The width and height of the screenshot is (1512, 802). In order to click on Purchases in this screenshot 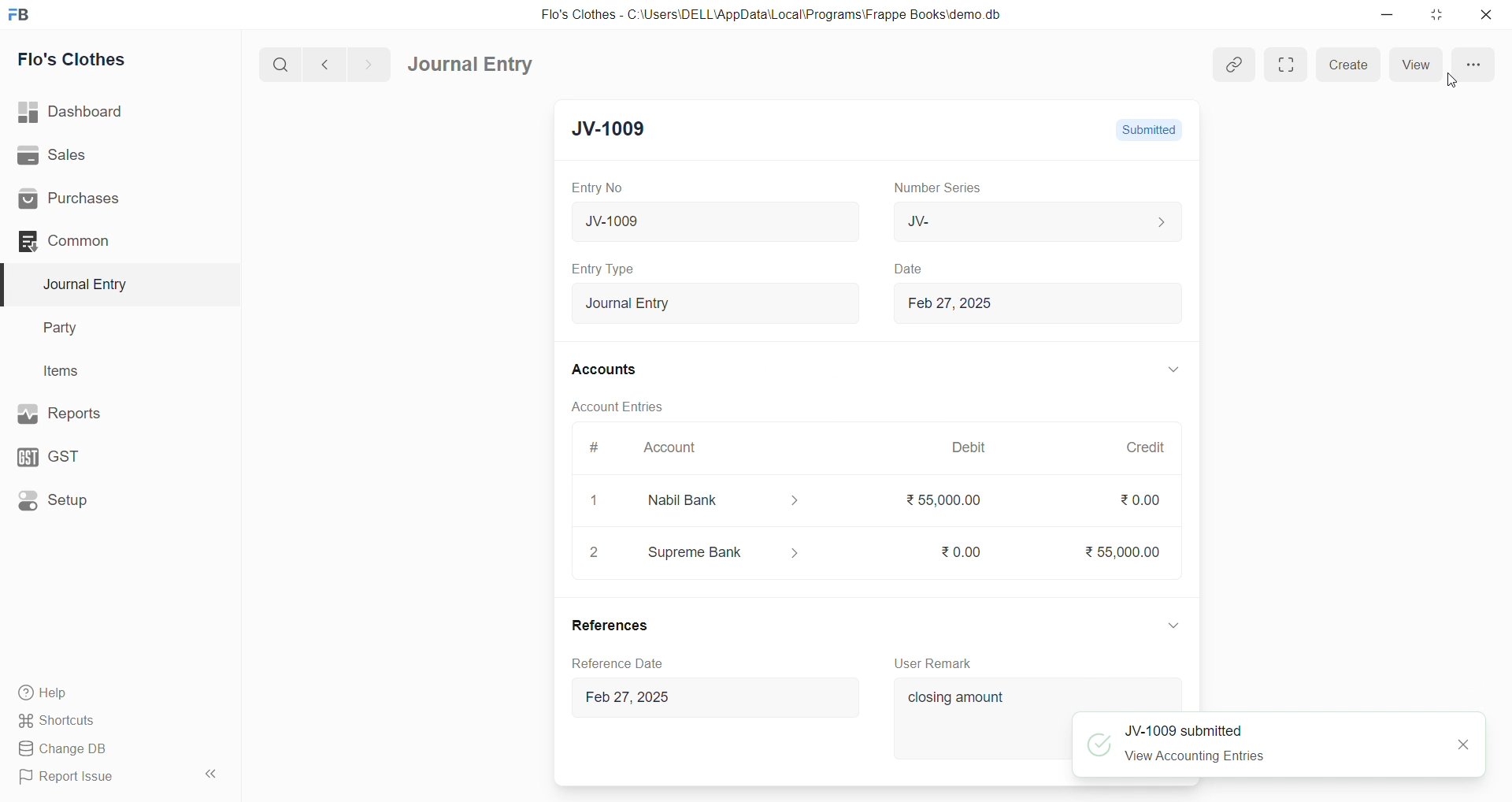, I will do `click(95, 200)`.